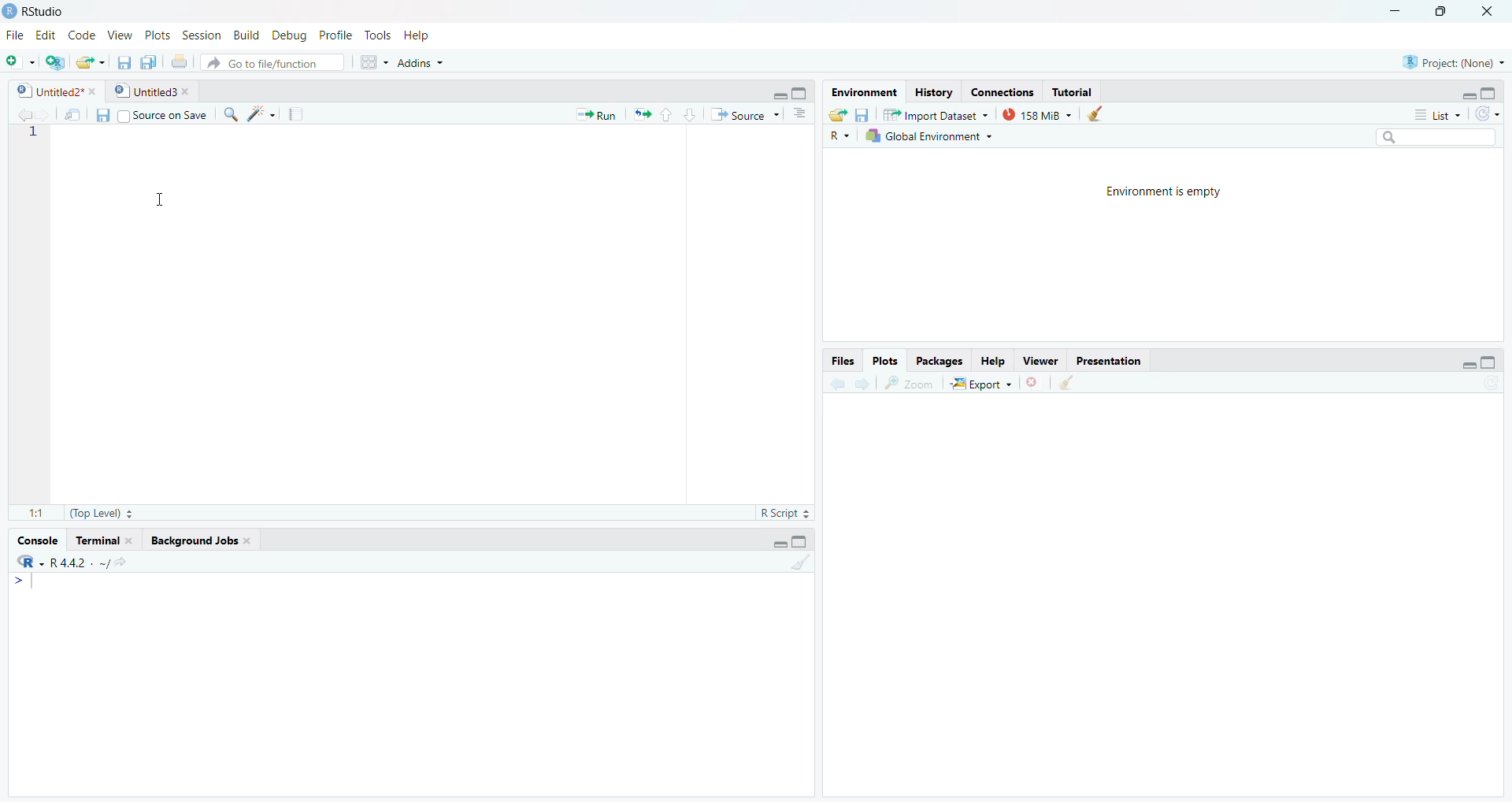  I want to click on List , so click(1432, 113).